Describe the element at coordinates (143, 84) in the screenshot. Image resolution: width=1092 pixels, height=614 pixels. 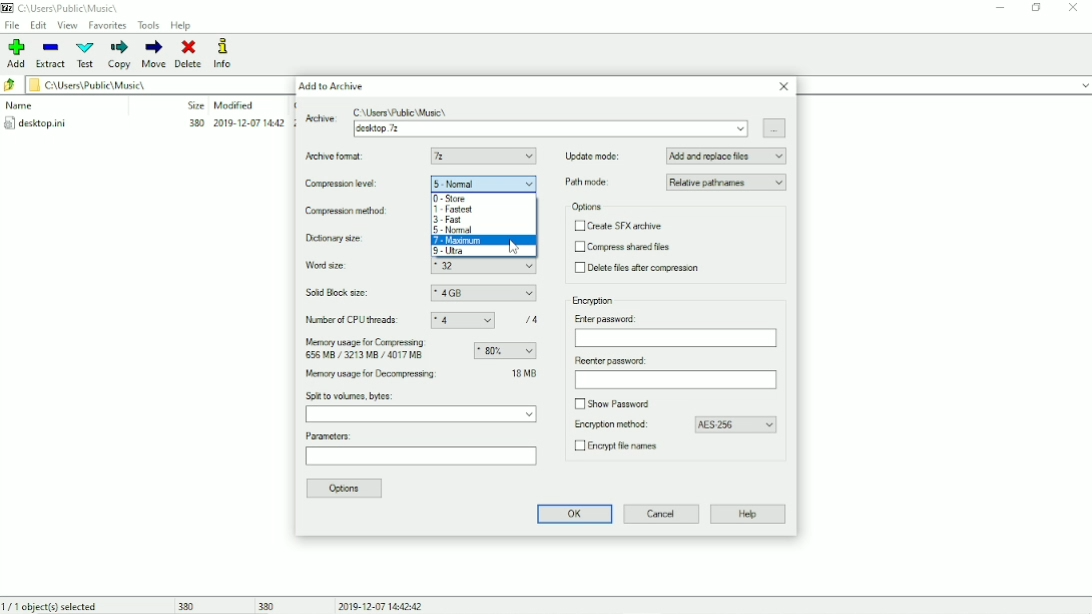
I see `File location` at that location.